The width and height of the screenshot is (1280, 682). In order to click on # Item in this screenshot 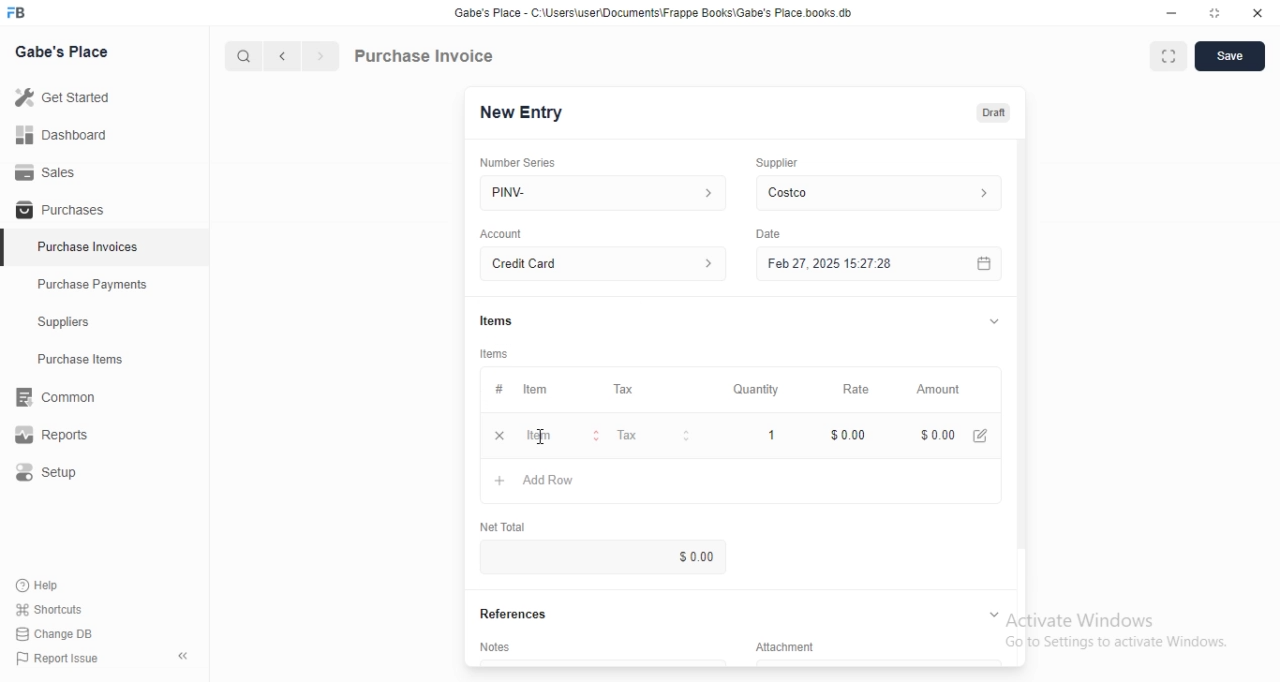, I will do `click(544, 390)`.